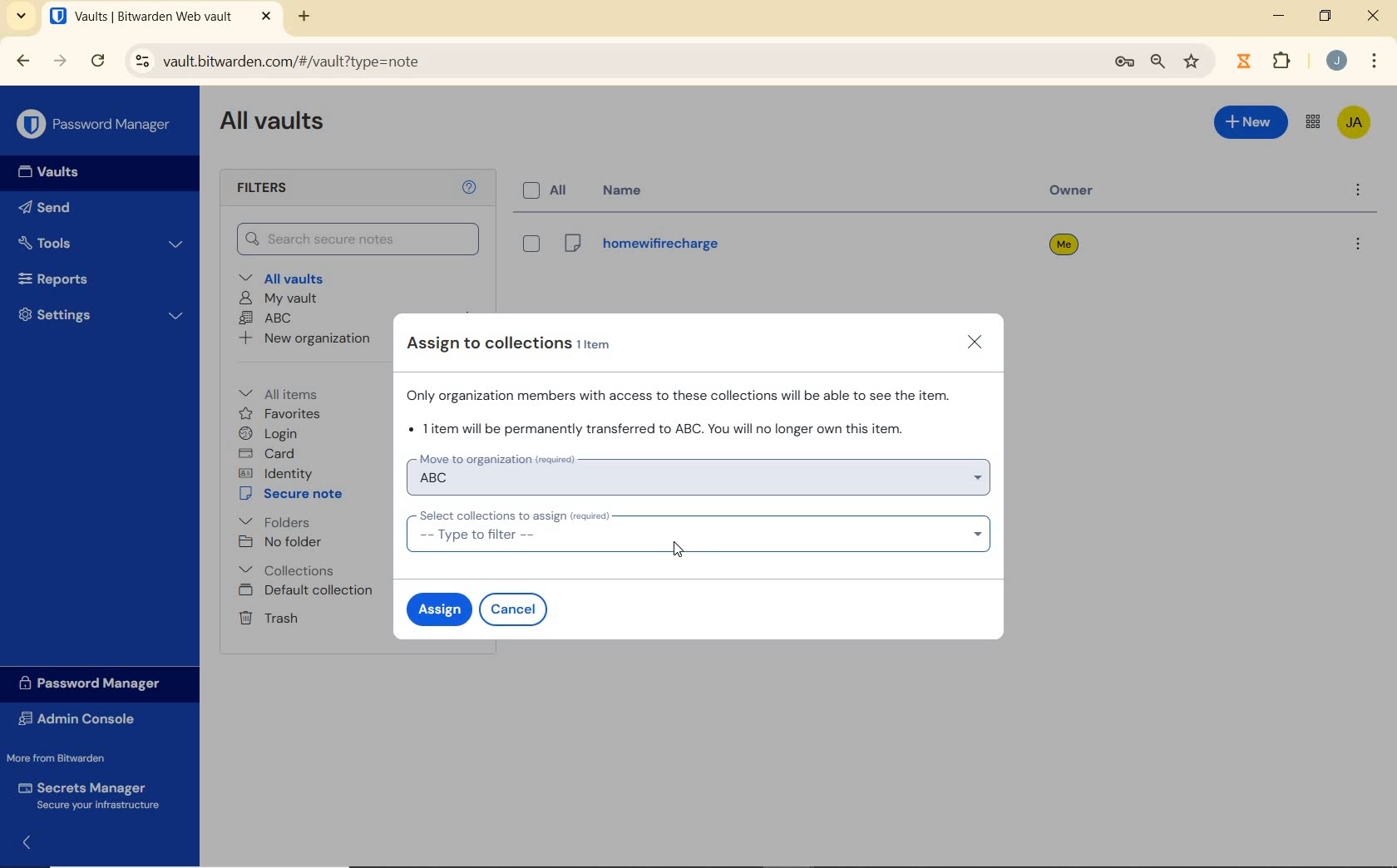 The height and width of the screenshot is (868, 1397). Describe the element at coordinates (701, 528) in the screenshot. I see `select collection to assign` at that location.